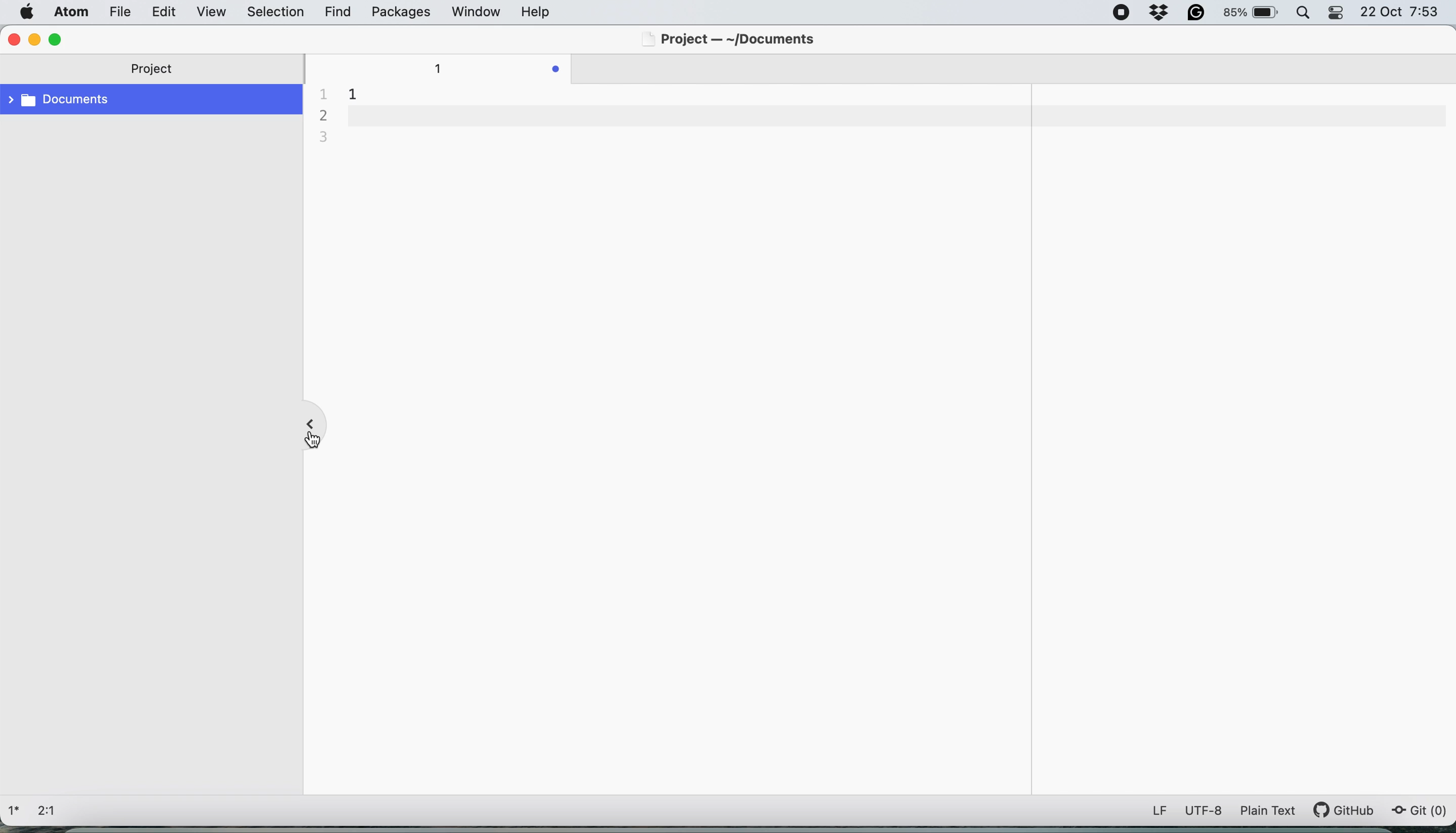  What do you see at coordinates (310, 441) in the screenshot?
I see `cursor` at bounding box center [310, 441].